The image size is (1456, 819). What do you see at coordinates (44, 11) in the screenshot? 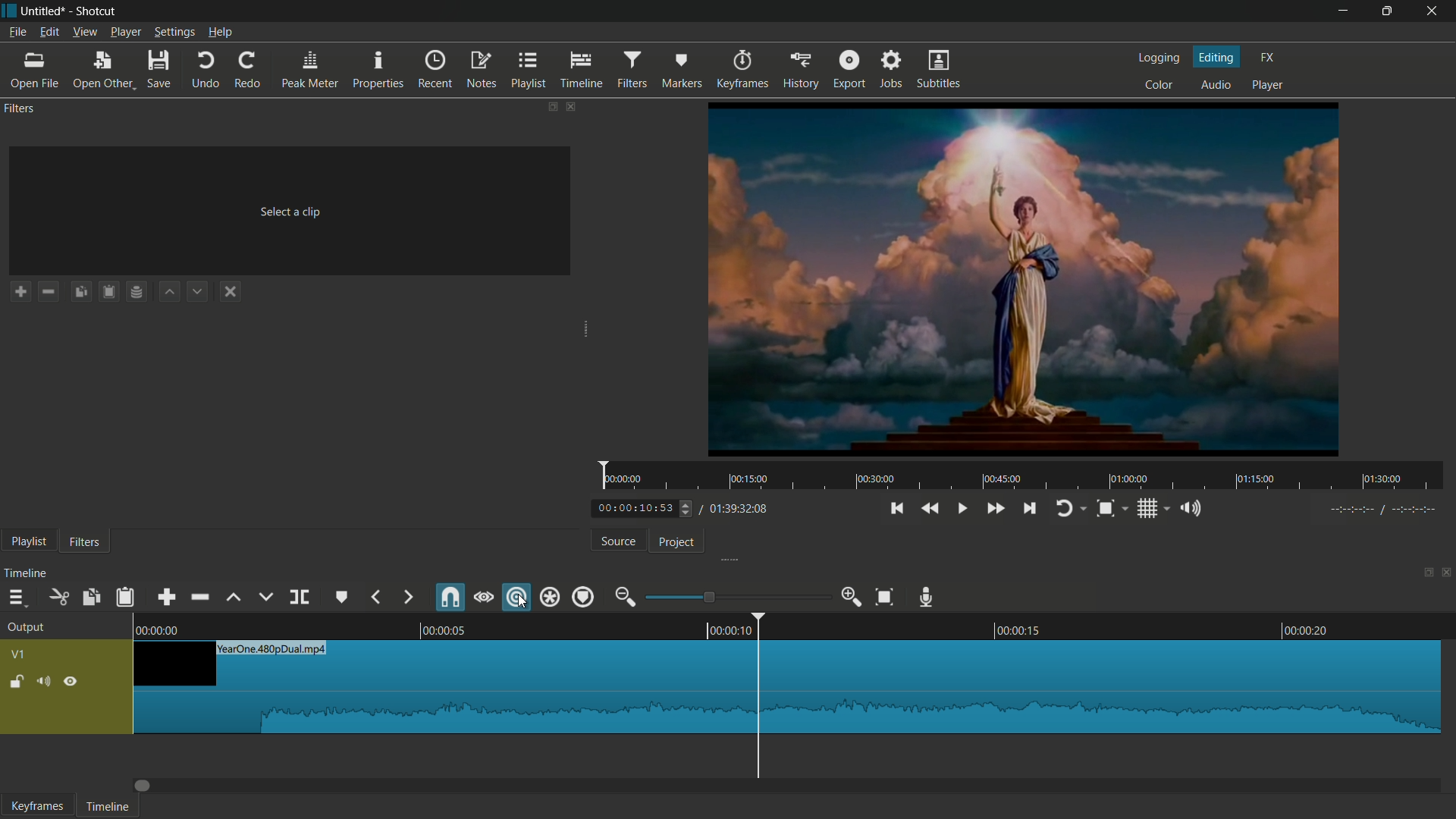
I see `project name` at bounding box center [44, 11].